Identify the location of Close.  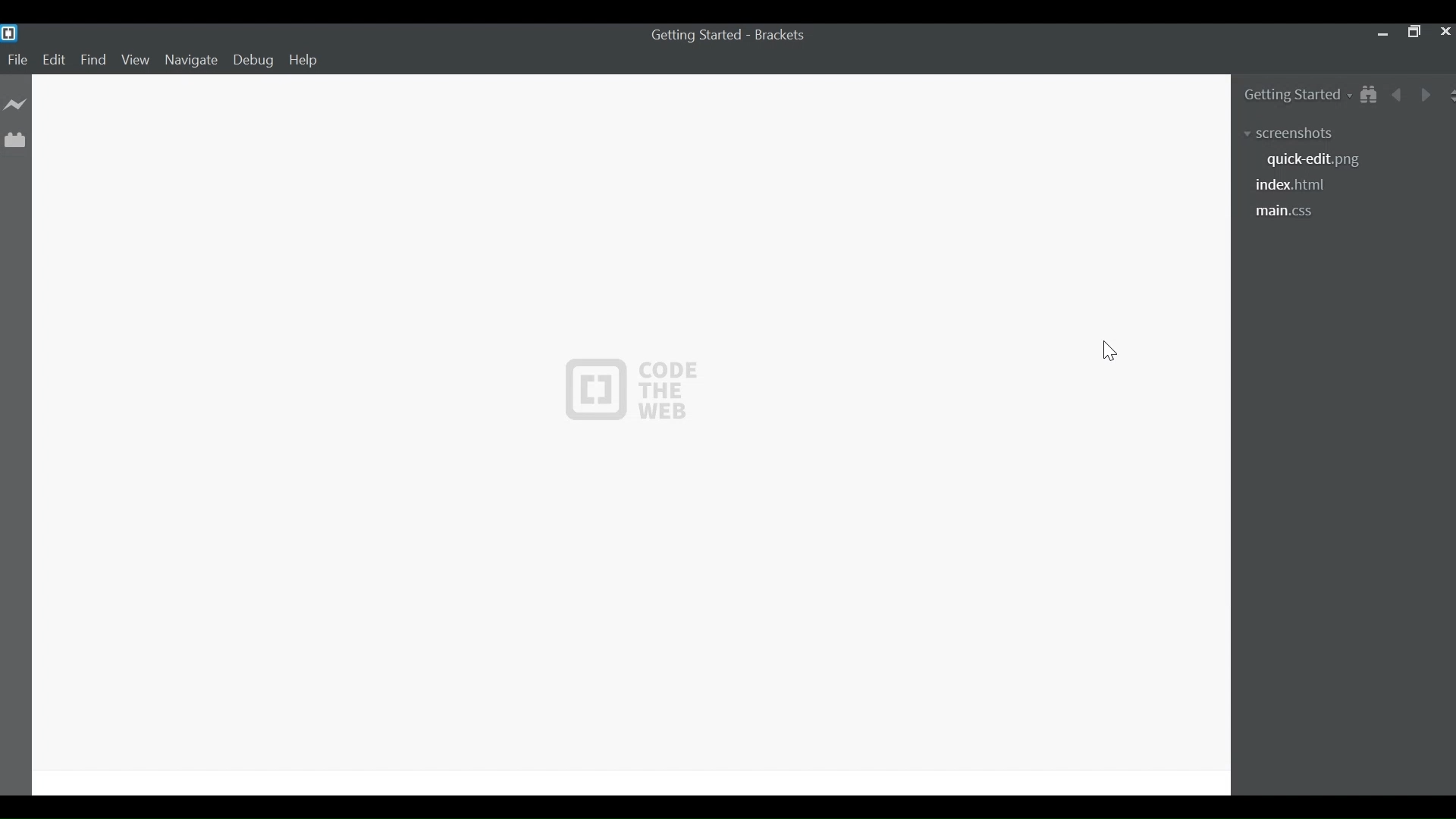
(1444, 33).